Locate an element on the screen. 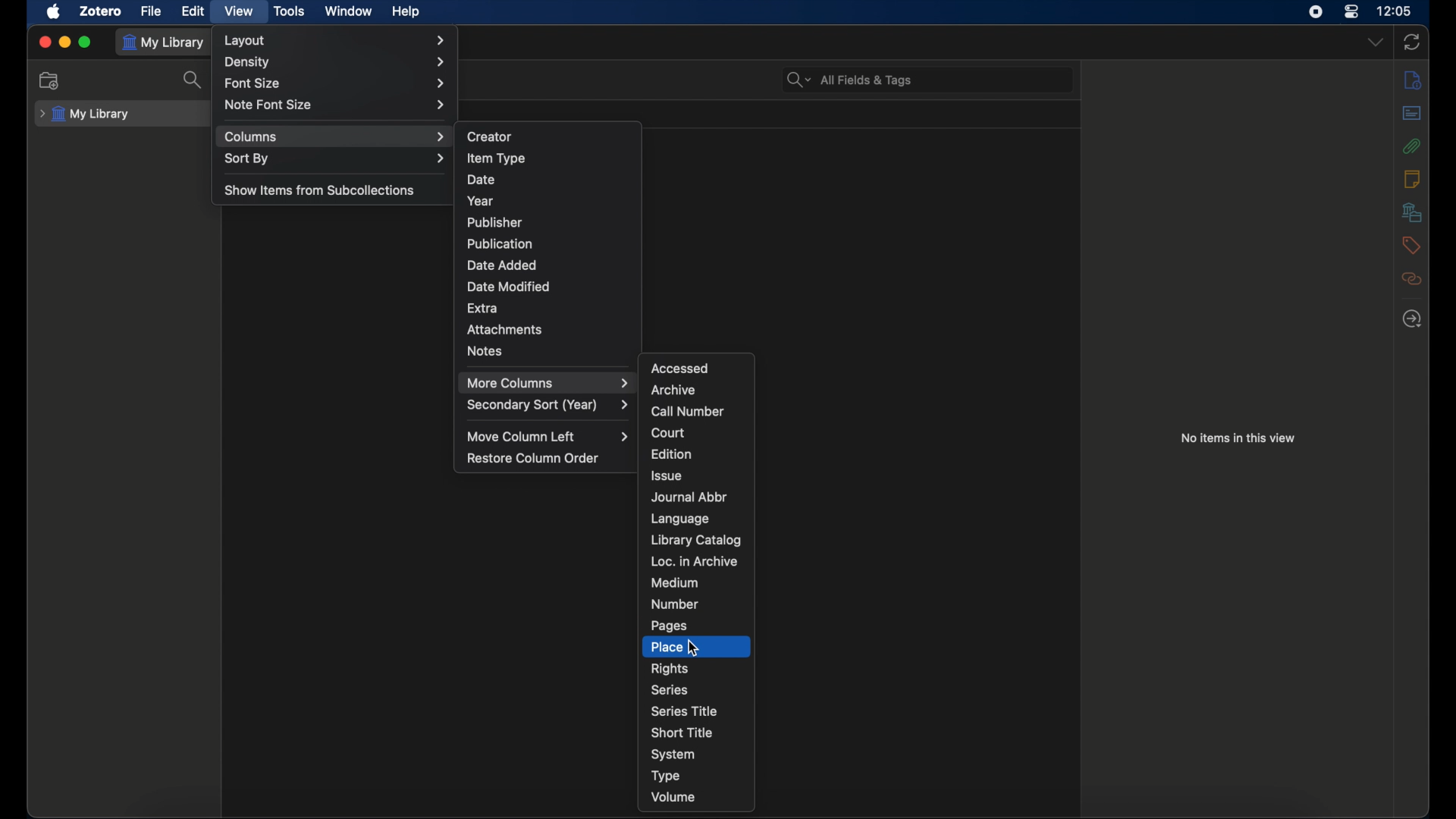 This screenshot has width=1456, height=819. journal abbr is located at coordinates (691, 497).